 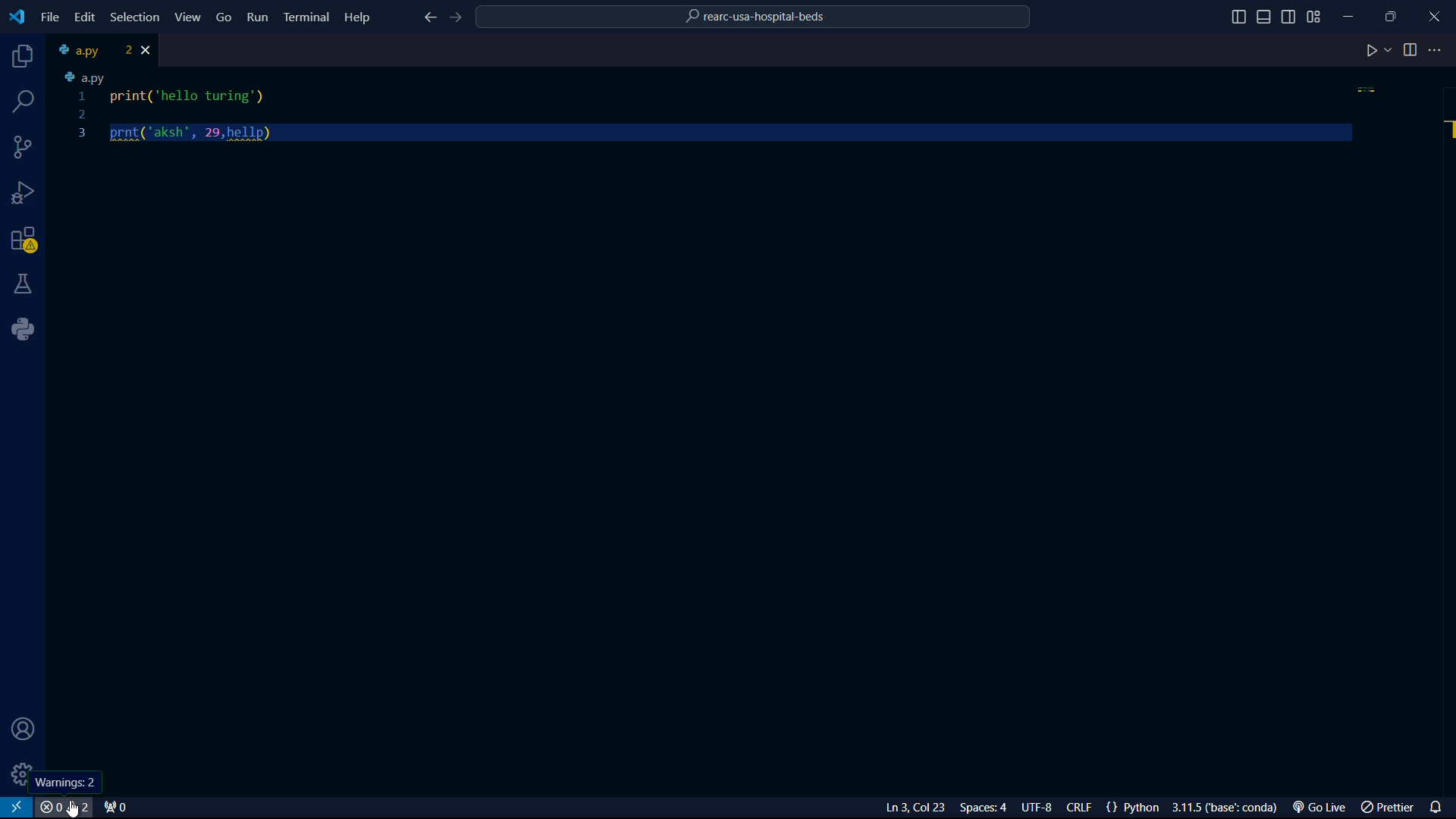 I want to click on connect 0, so click(x=118, y=808).